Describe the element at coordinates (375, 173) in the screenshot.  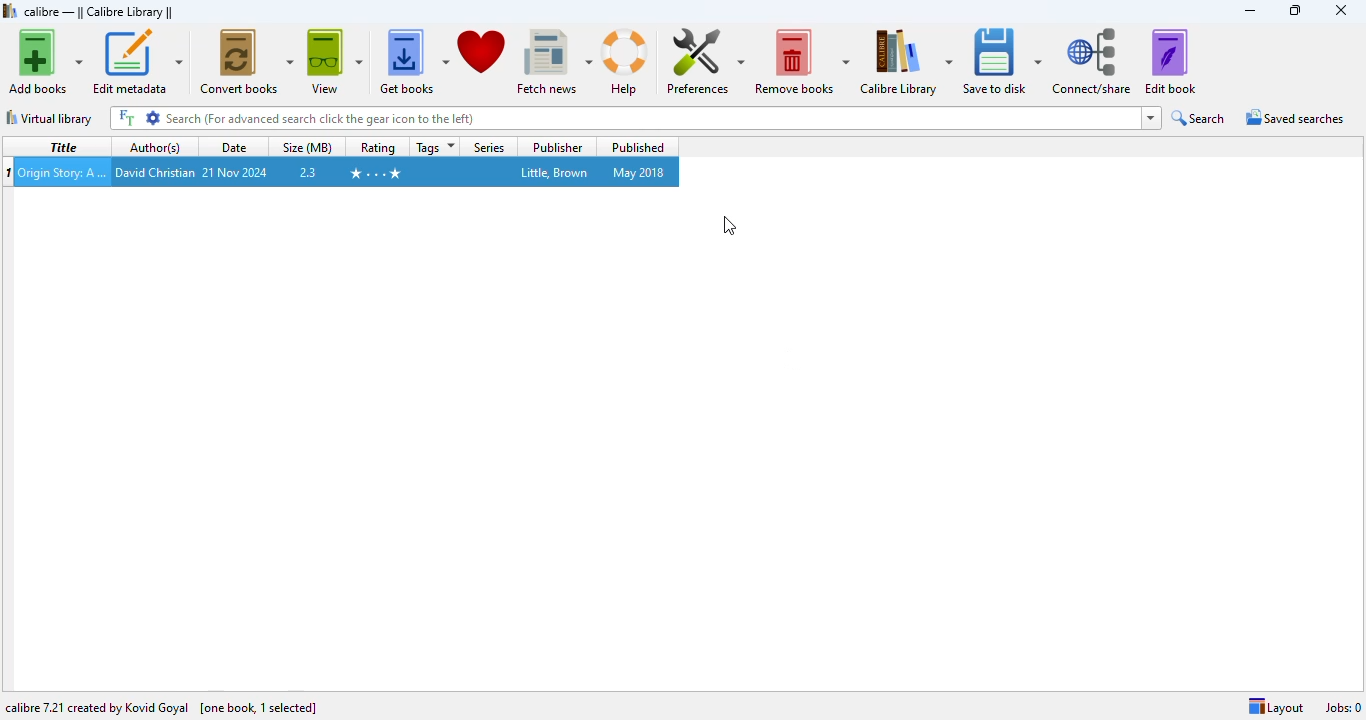
I see `4 stars` at that location.